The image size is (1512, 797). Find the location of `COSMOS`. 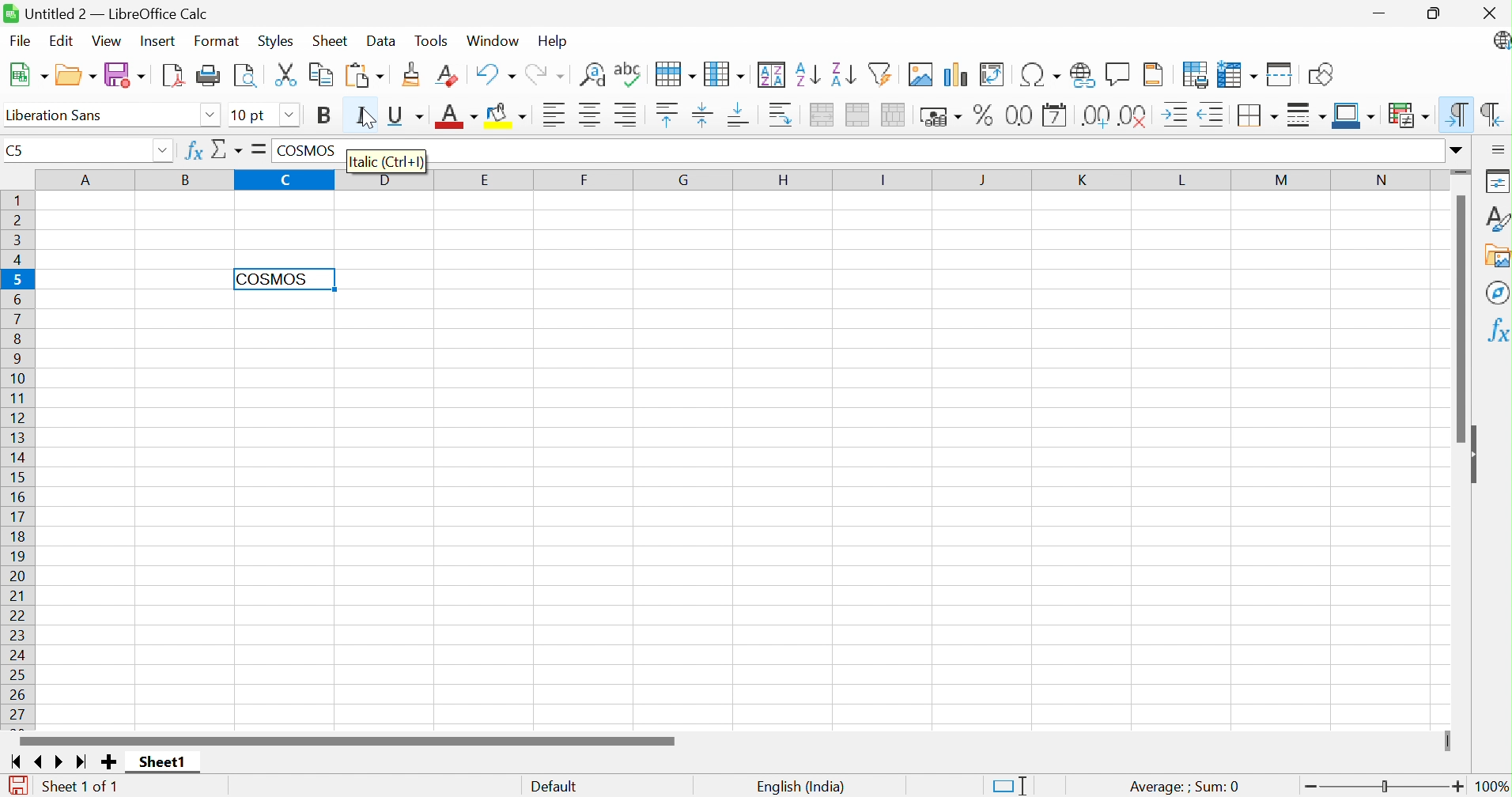

COSMOS is located at coordinates (307, 151).